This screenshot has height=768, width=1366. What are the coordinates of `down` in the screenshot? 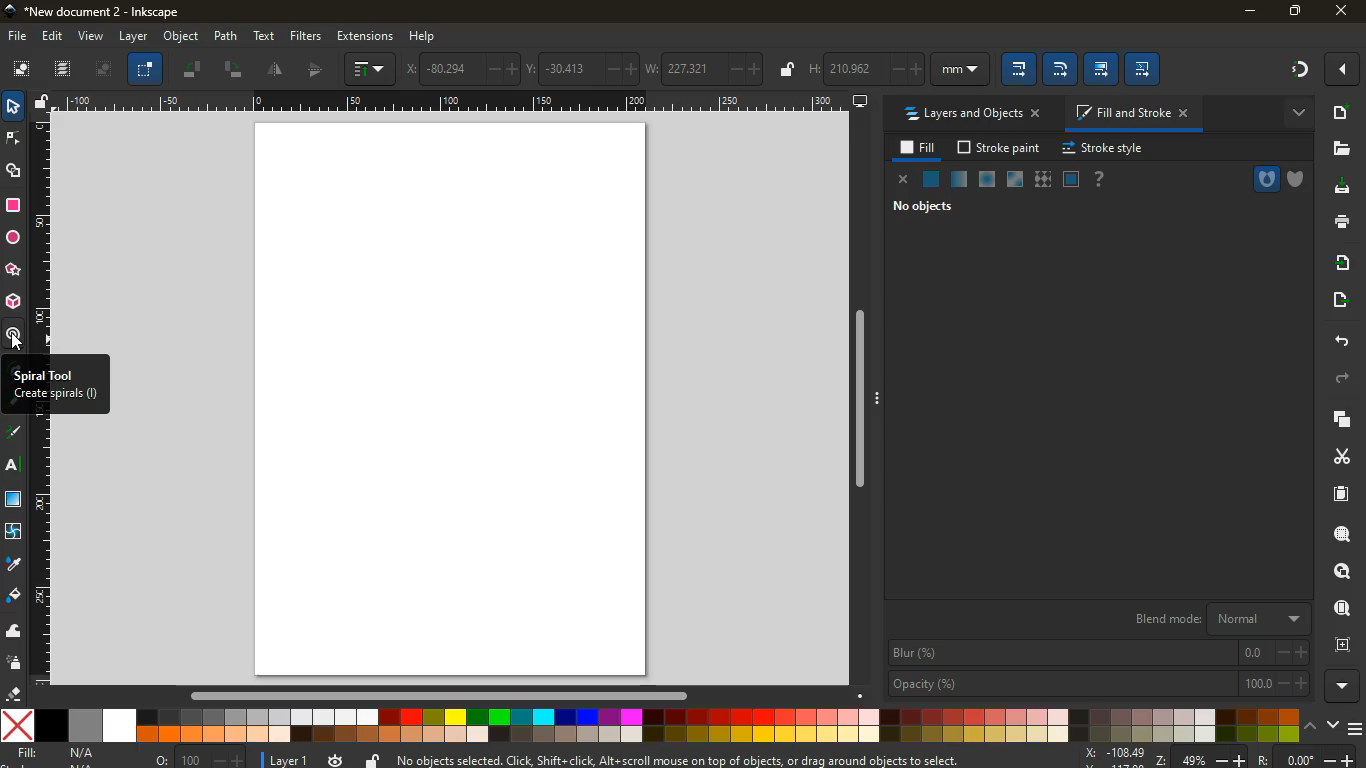 It's located at (1335, 726).